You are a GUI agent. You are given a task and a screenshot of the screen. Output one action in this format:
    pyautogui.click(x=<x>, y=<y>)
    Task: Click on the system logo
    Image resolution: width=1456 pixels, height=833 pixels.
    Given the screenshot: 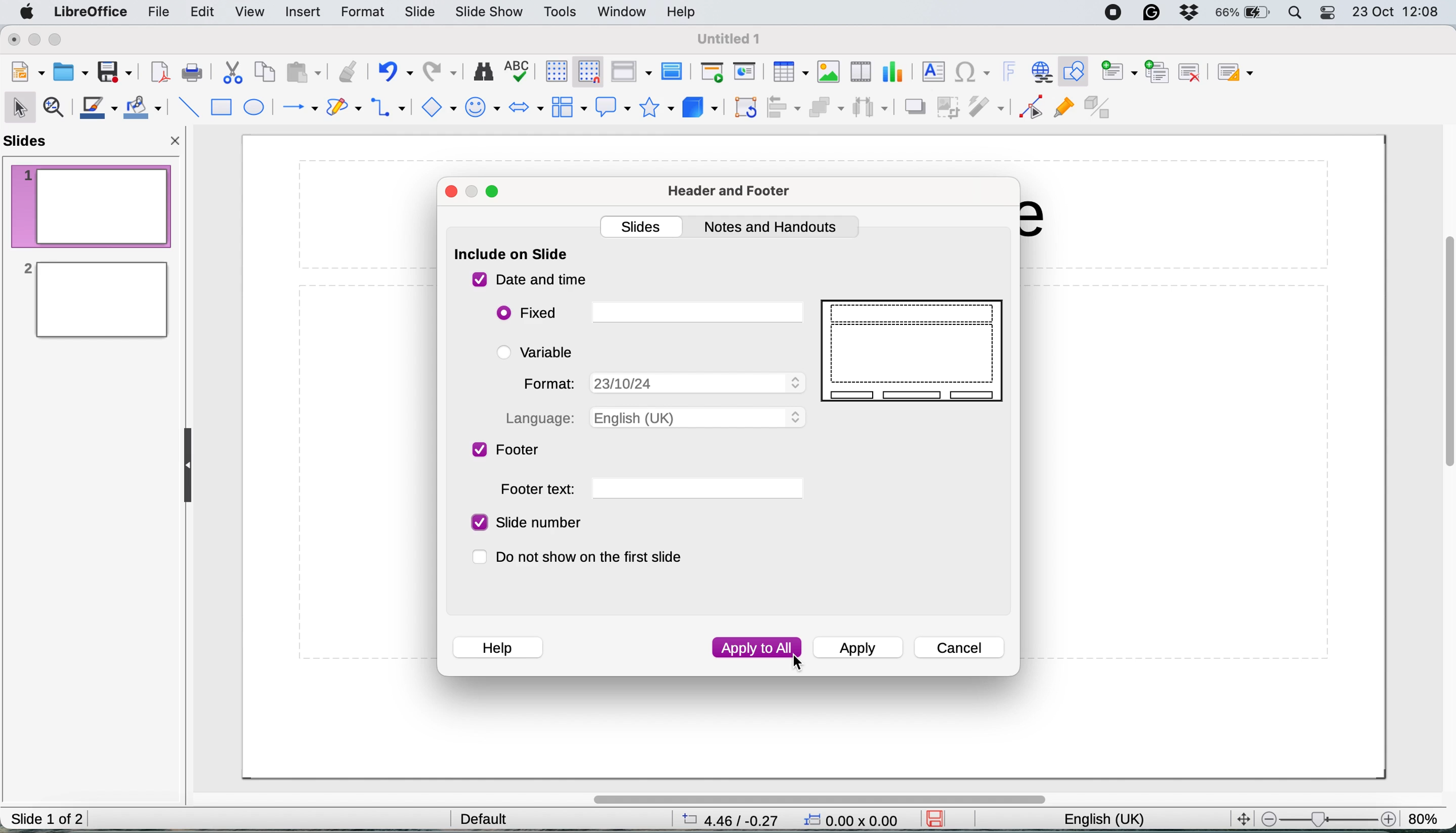 What is the action you would take?
    pyautogui.click(x=29, y=13)
    